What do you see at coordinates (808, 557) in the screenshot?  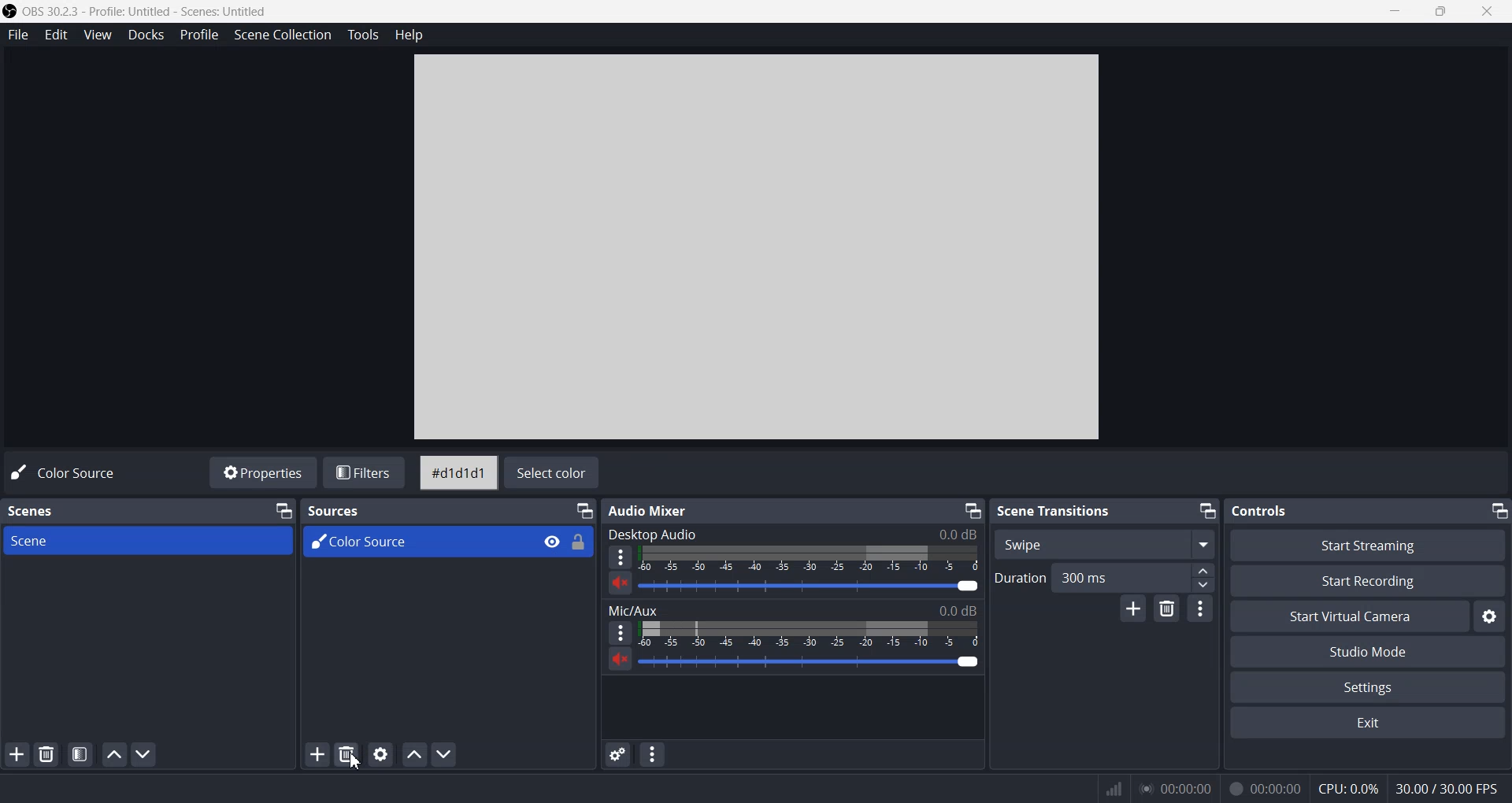 I see `Volume Indicator` at bounding box center [808, 557].